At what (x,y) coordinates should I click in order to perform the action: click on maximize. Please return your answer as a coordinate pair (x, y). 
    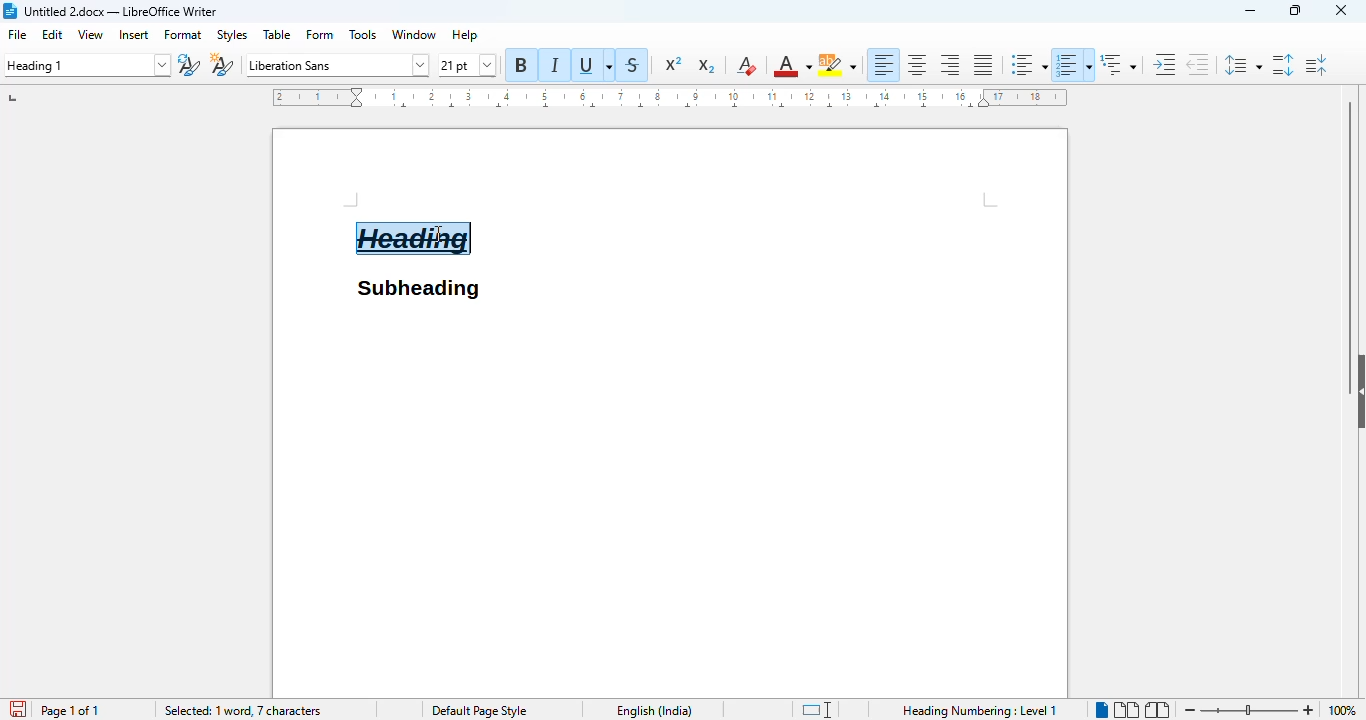
    Looking at the image, I should click on (1295, 10).